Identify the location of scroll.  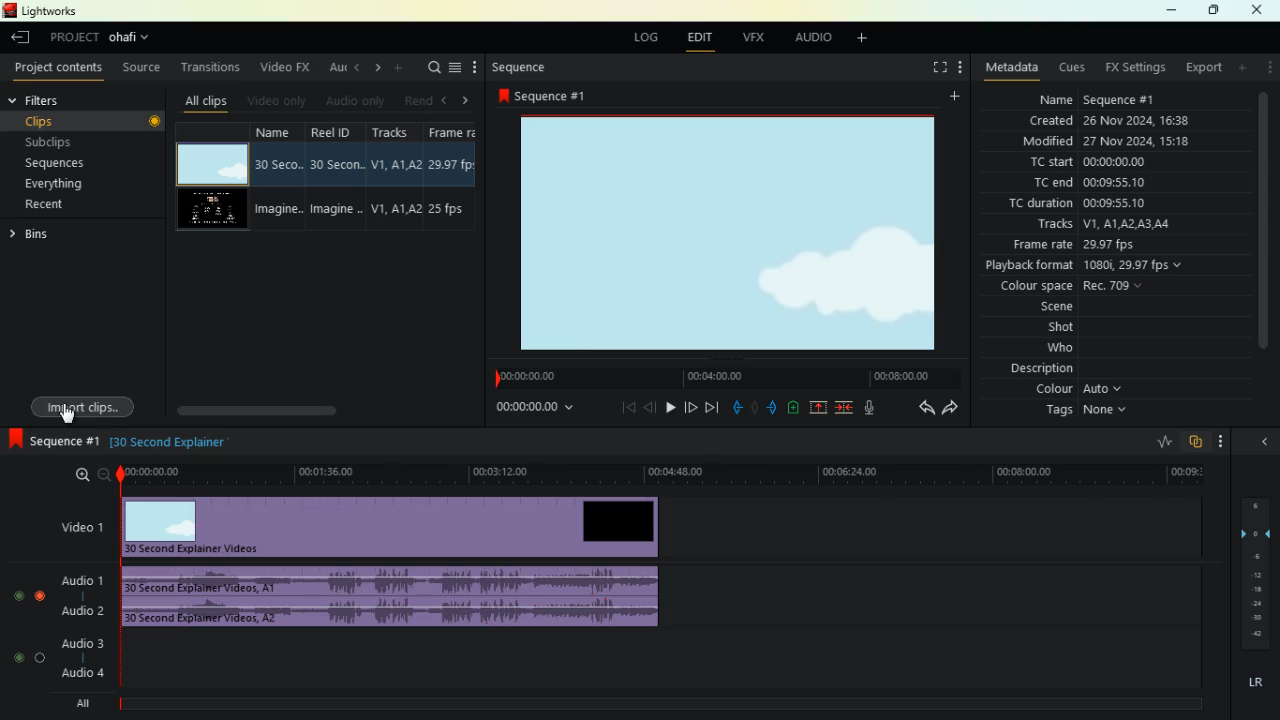
(292, 404).